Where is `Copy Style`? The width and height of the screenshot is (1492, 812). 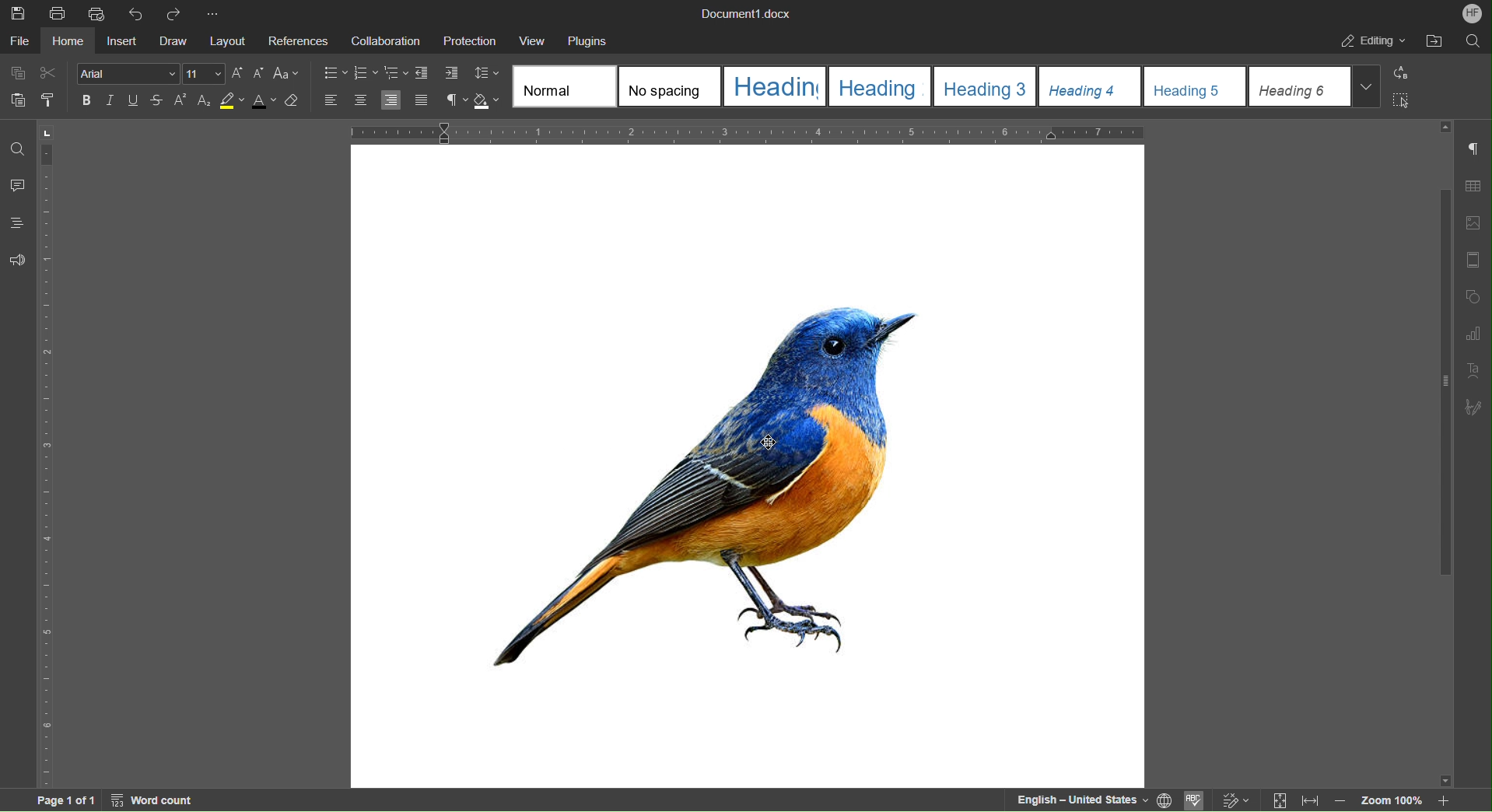 Copy Style is located at coordinates (49, 100).